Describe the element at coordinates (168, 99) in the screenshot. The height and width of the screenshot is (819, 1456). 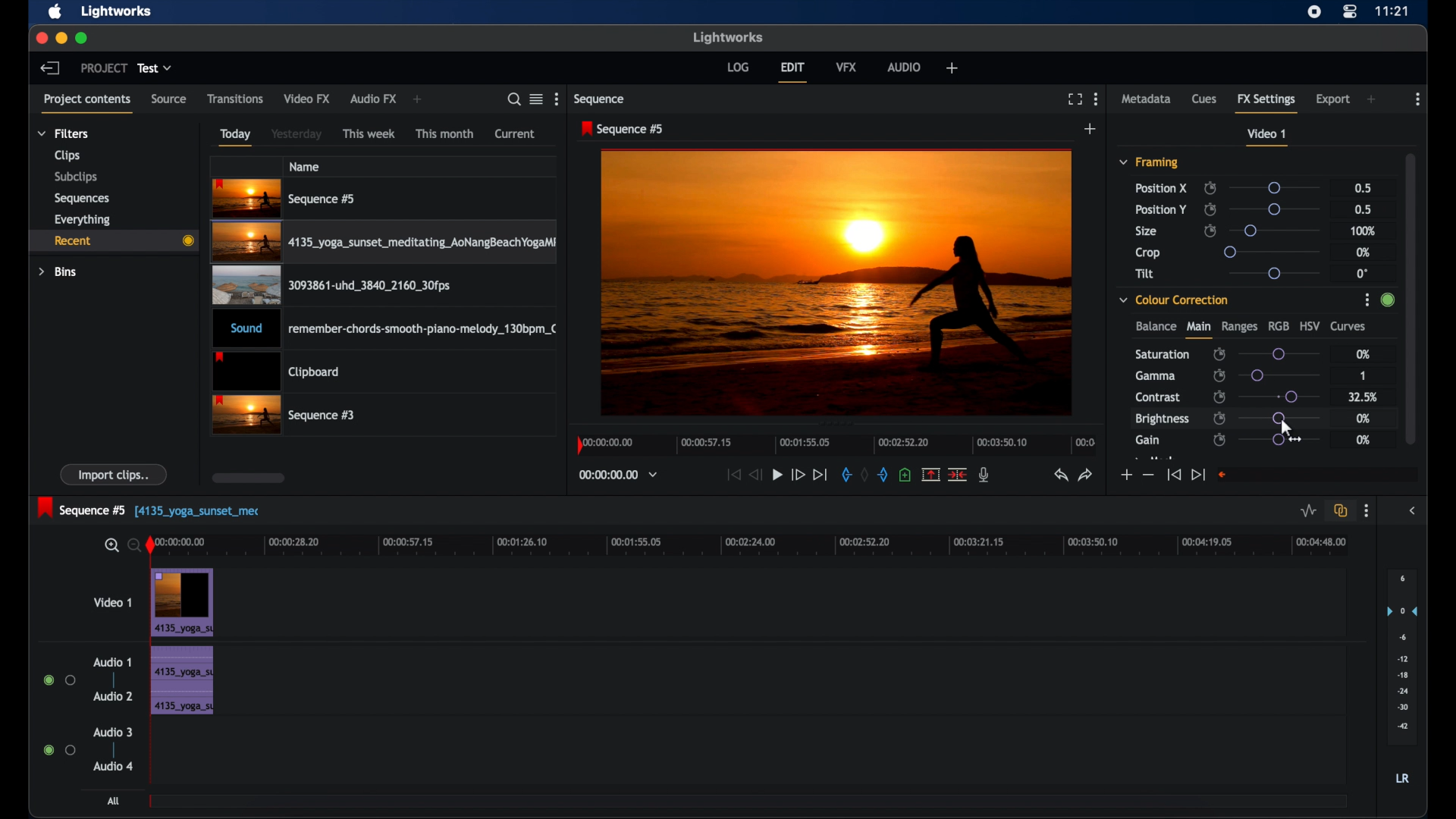
I see `source` at that location.